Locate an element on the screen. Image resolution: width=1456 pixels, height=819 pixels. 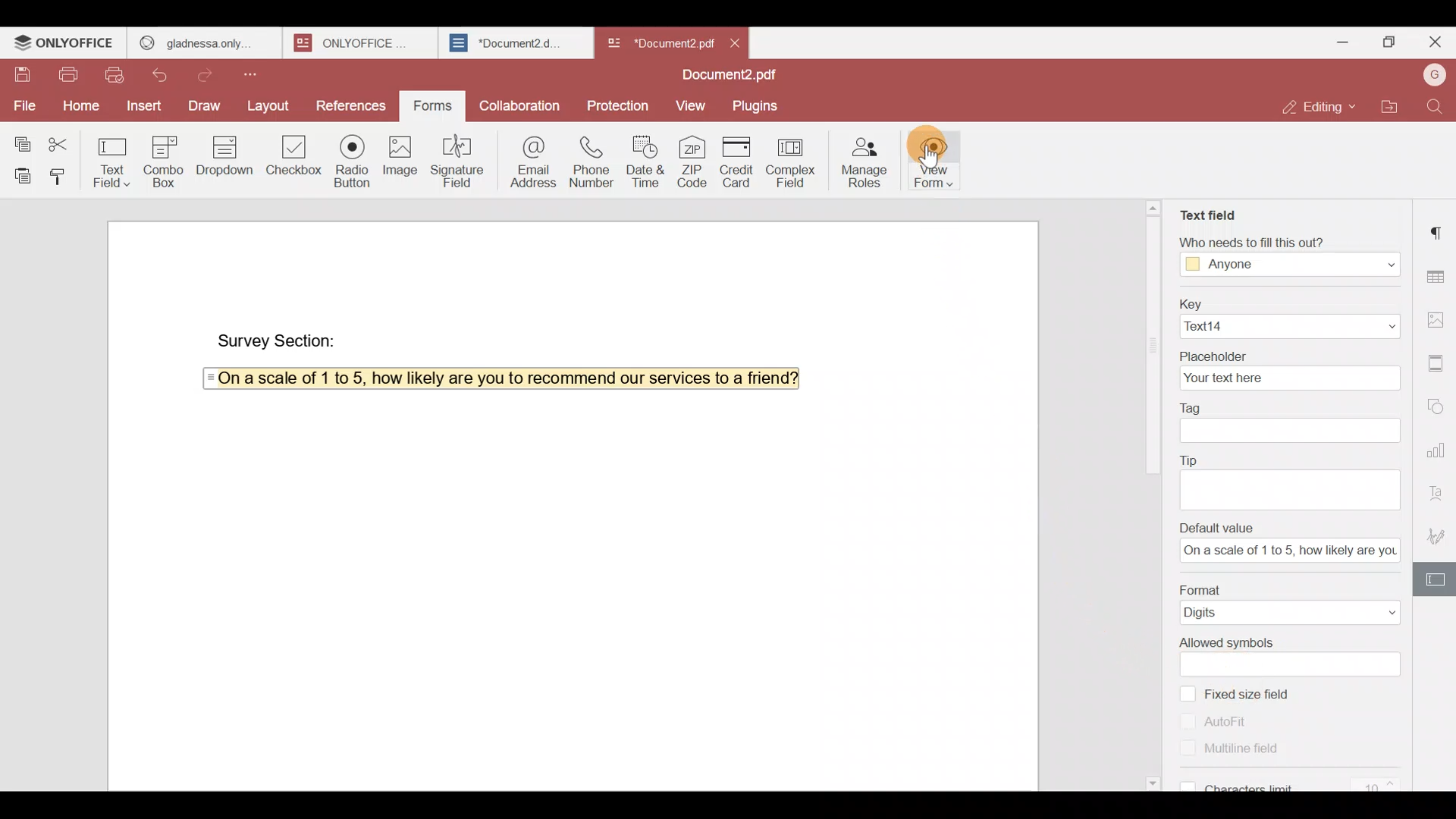
Customize quick access toolbar is located at coordinates (265, 73).